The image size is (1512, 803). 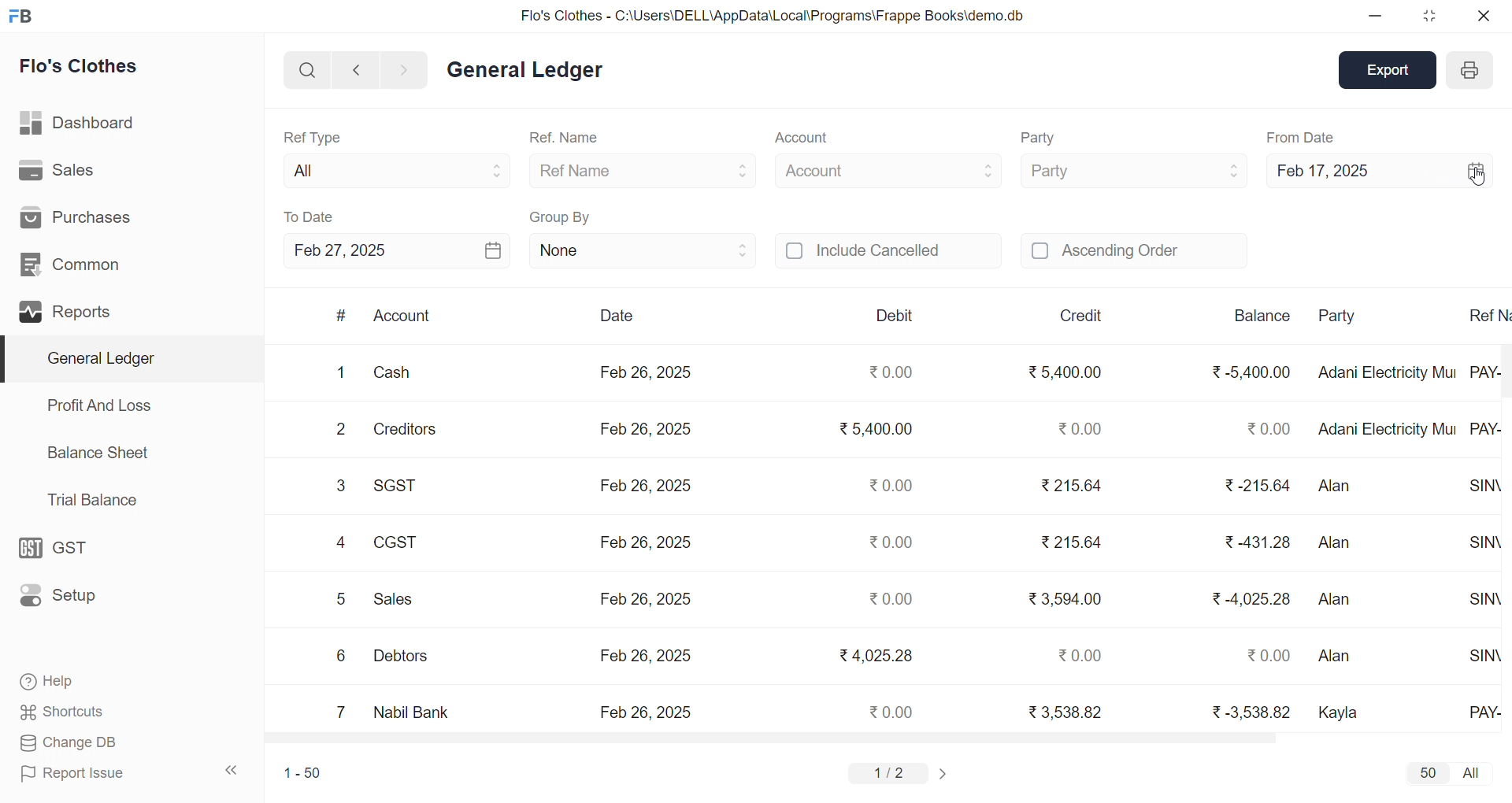 What do you see at coordinates (561, 215) in the screenshot?
I see `Group By` at bounding box center [561, 215].